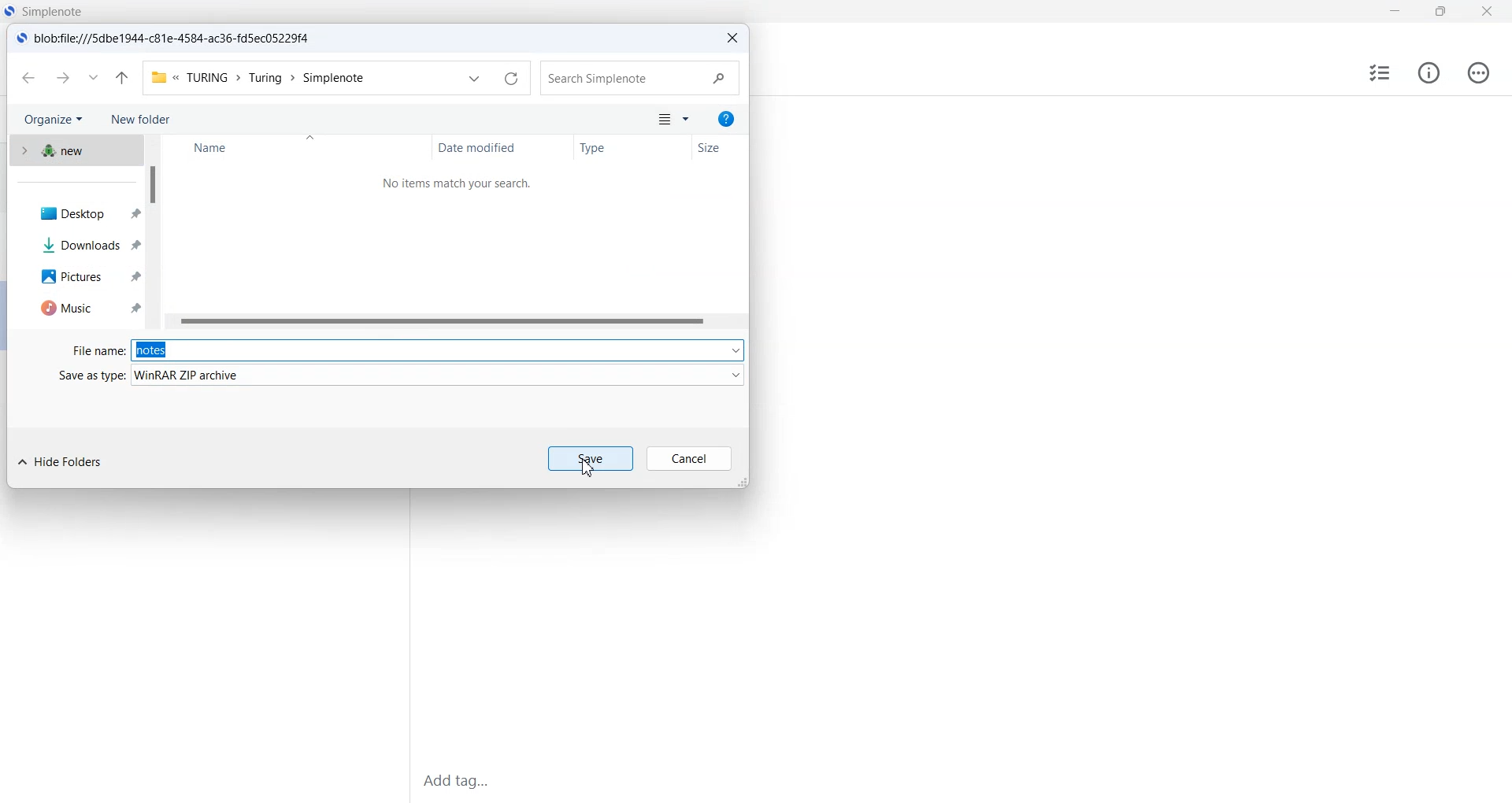 Image resolution: width=1512 pixels, height=803 pixels. Describe the element at coordinates (1429, 72) in the screenshot. I see `Info` at that location.